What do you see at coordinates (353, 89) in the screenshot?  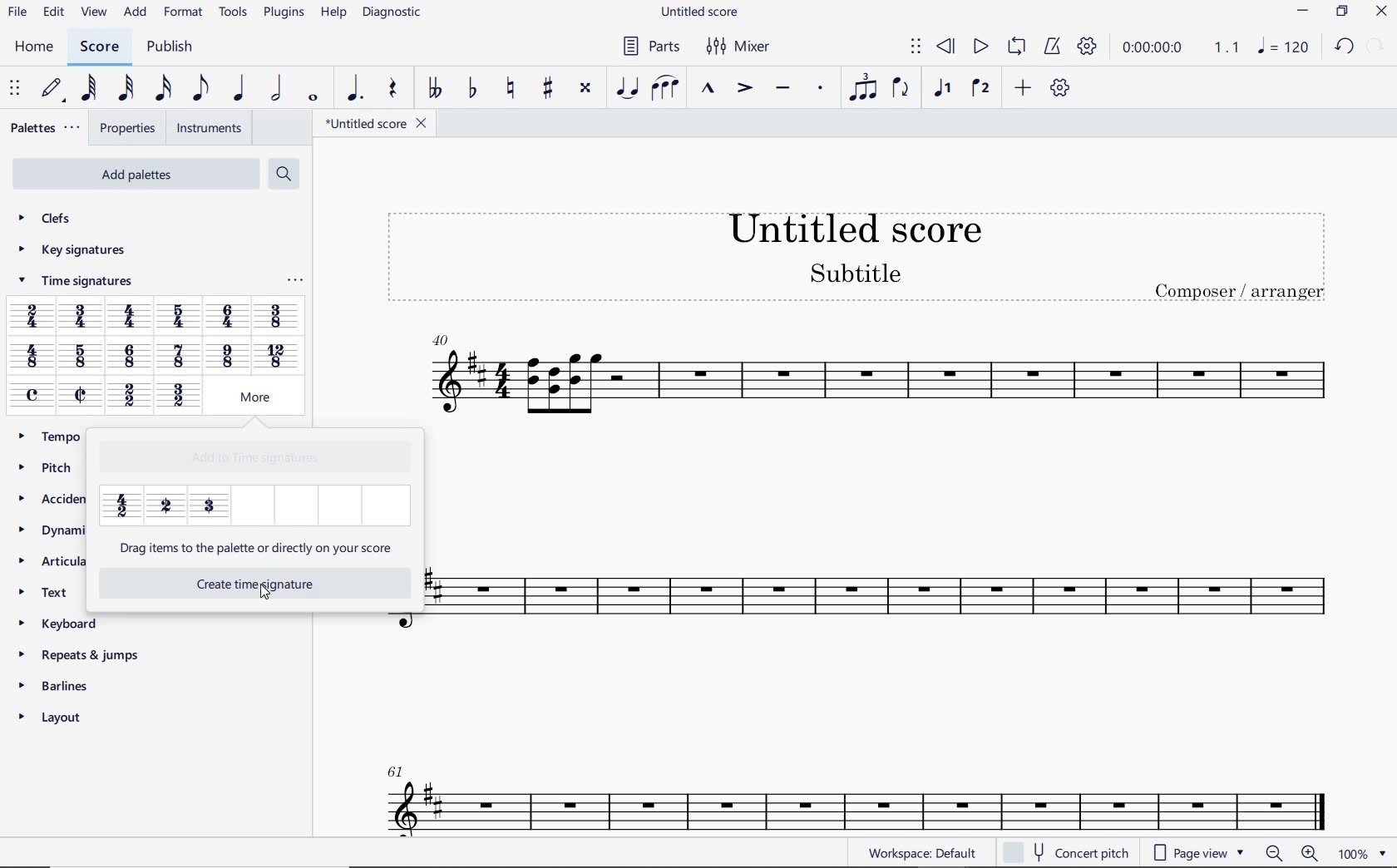 I see `AUGMENTATION DOT` at bounding box center [353, 89].